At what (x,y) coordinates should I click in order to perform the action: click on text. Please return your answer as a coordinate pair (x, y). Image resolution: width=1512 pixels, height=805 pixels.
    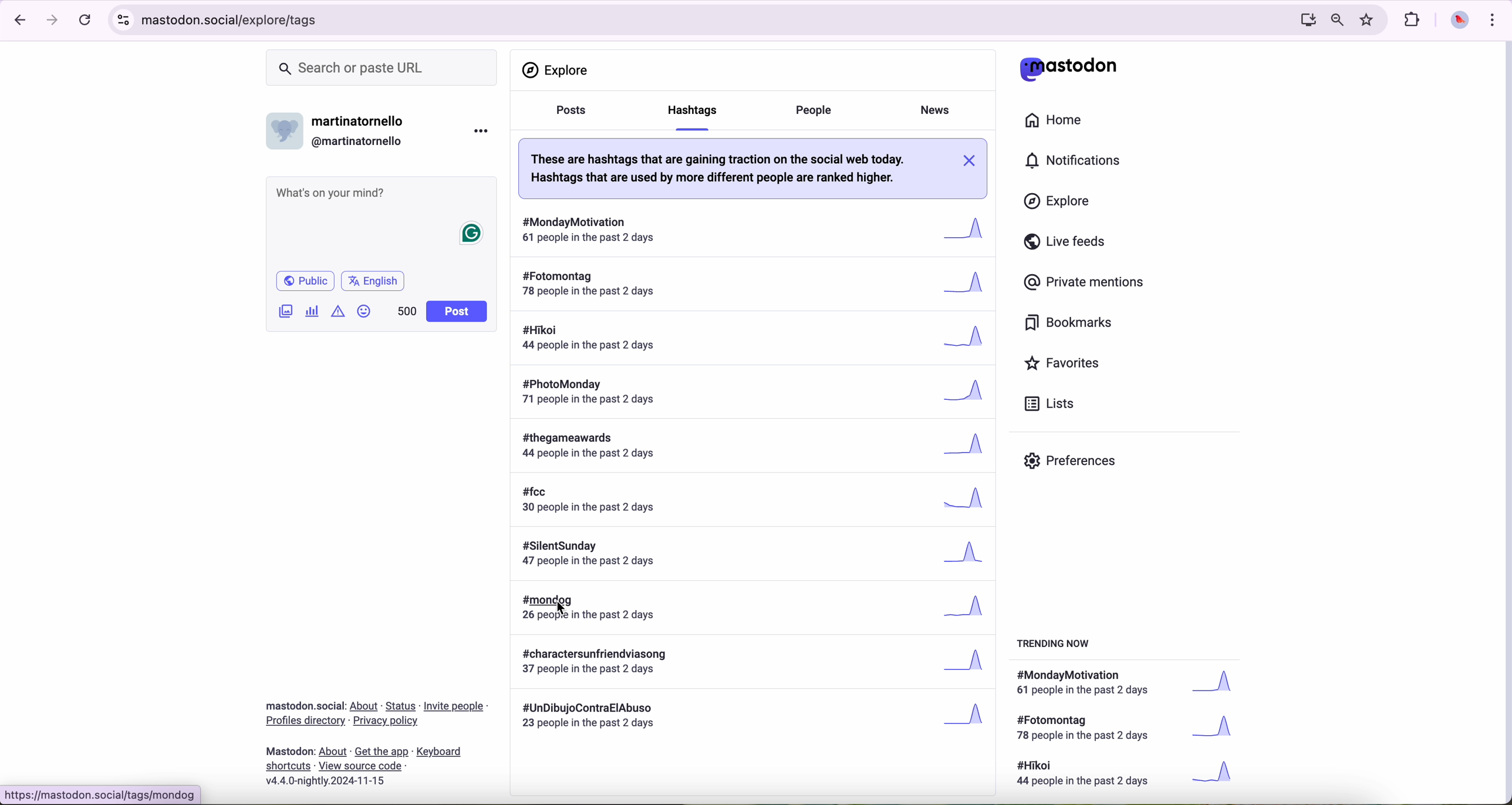
    Looking at the image, I should click on (1089, 775).